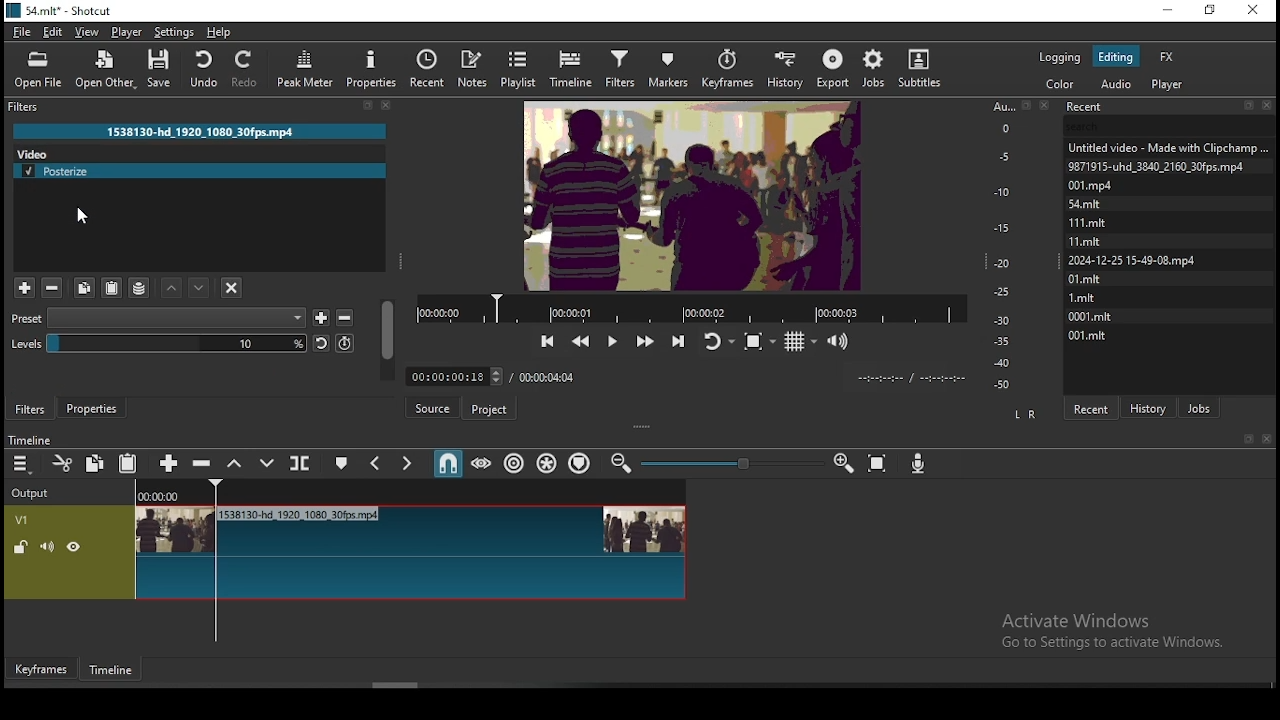 The height and width of the screenshot is (720, 1280). I want to click on ripple all tracks, so click(543, 463).